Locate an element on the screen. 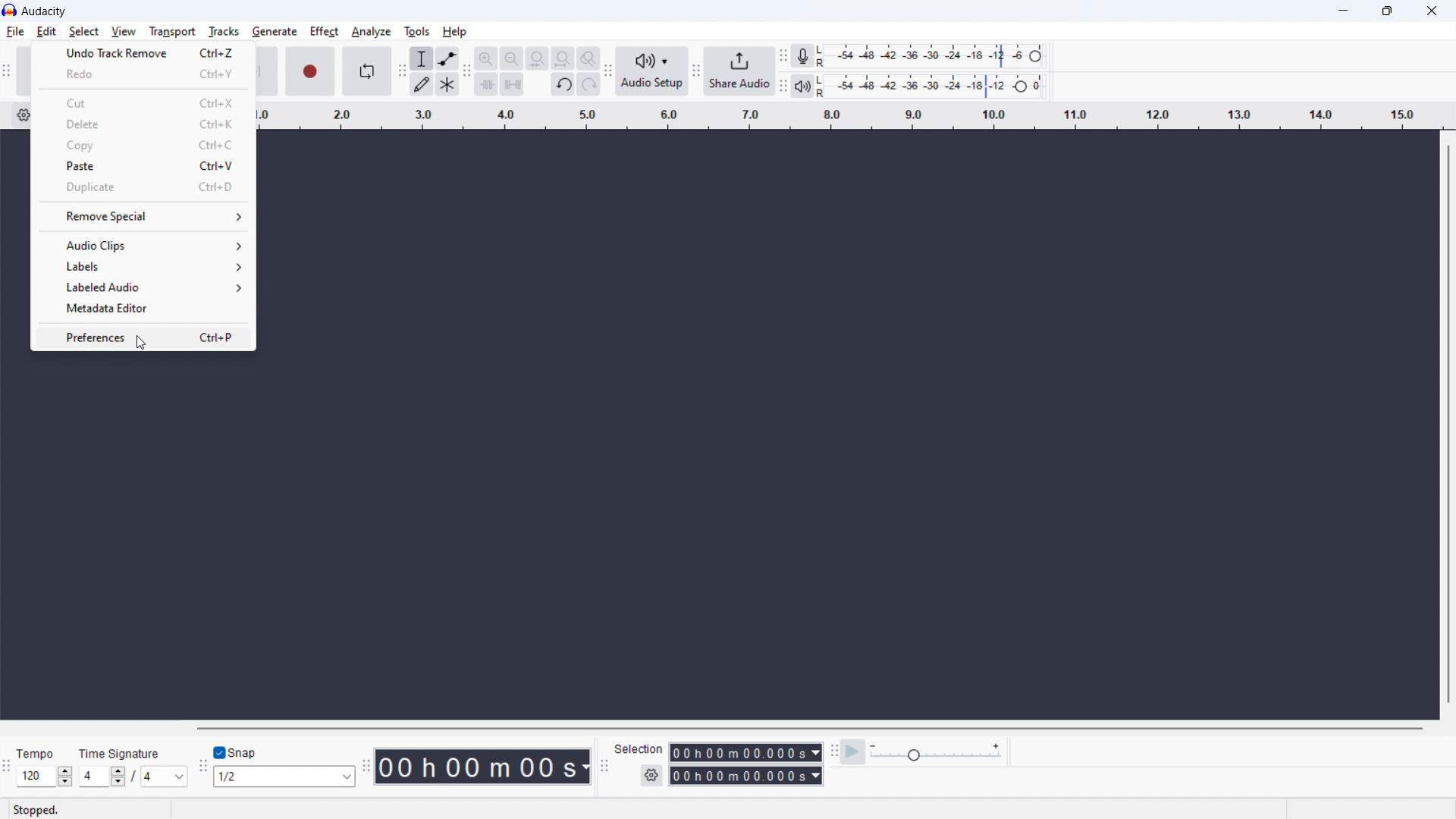 This screenshot has width=1456, height=819. record is located at coordinates (311, 71).